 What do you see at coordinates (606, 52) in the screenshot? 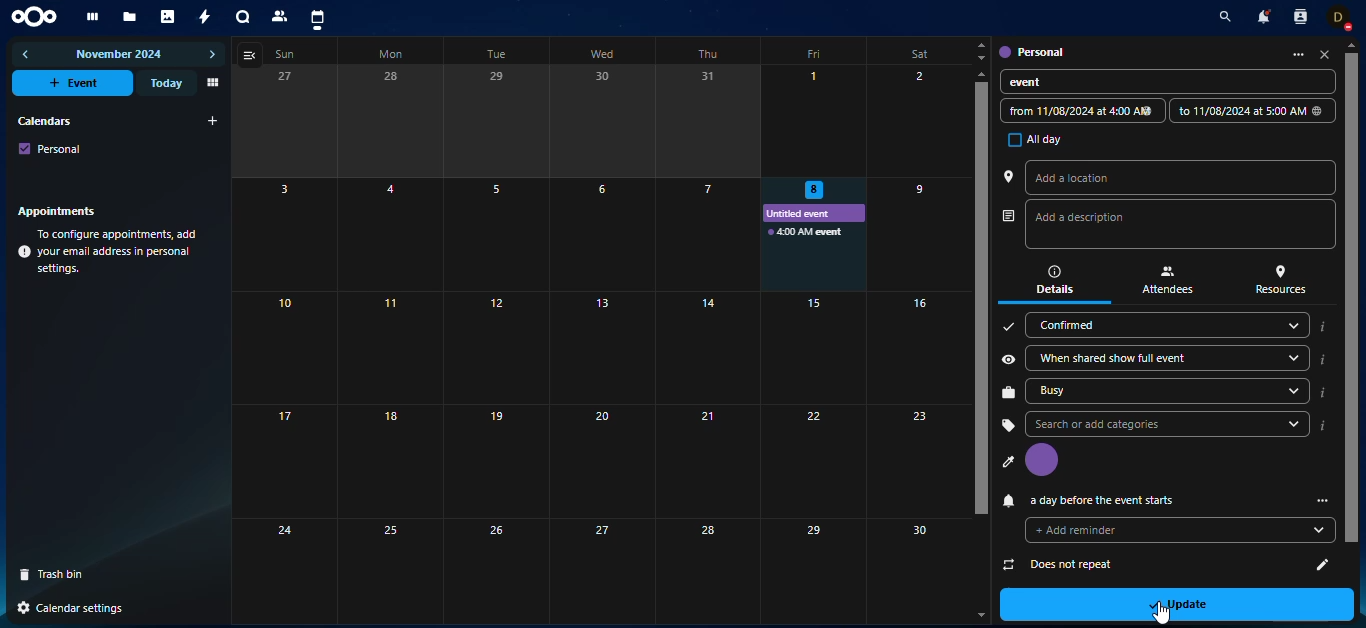
I see `wed` at bounding box center [606, 52].